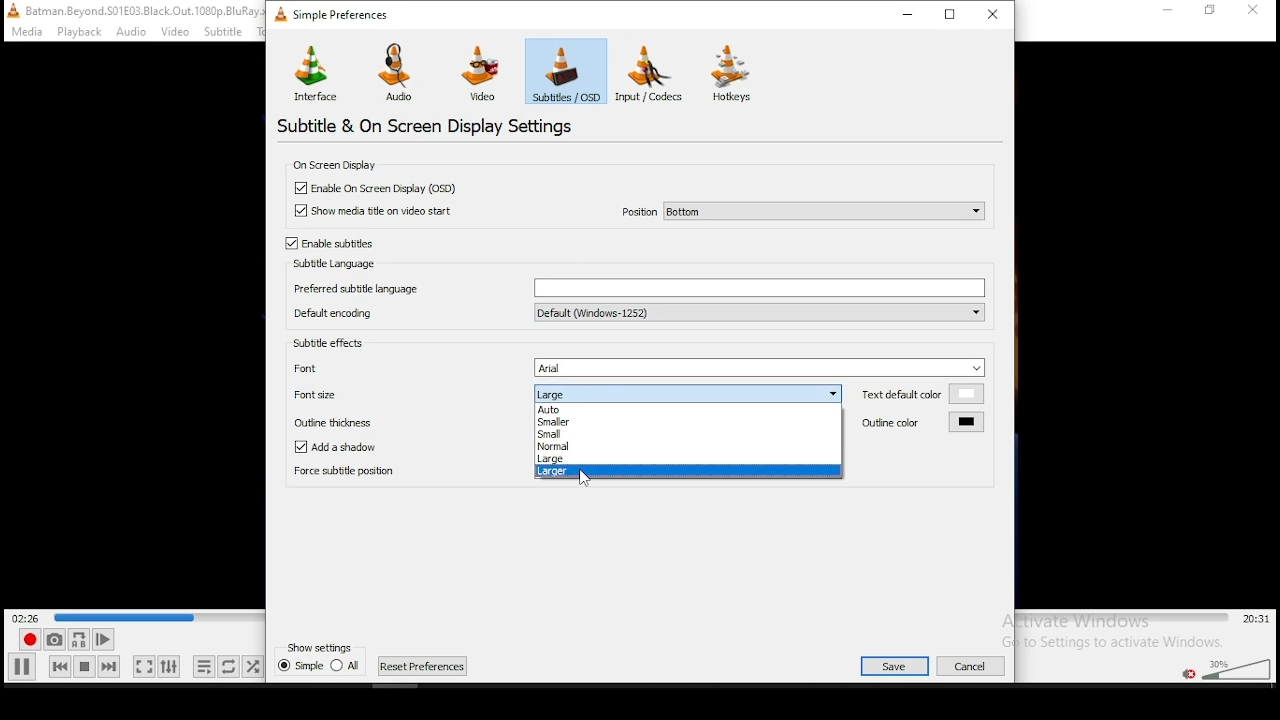 This screenshot has height=720, width=1280. What do you see at coordinates (81, 32) in the screenshot?
I see `playback` at bounding box center [81, 32].